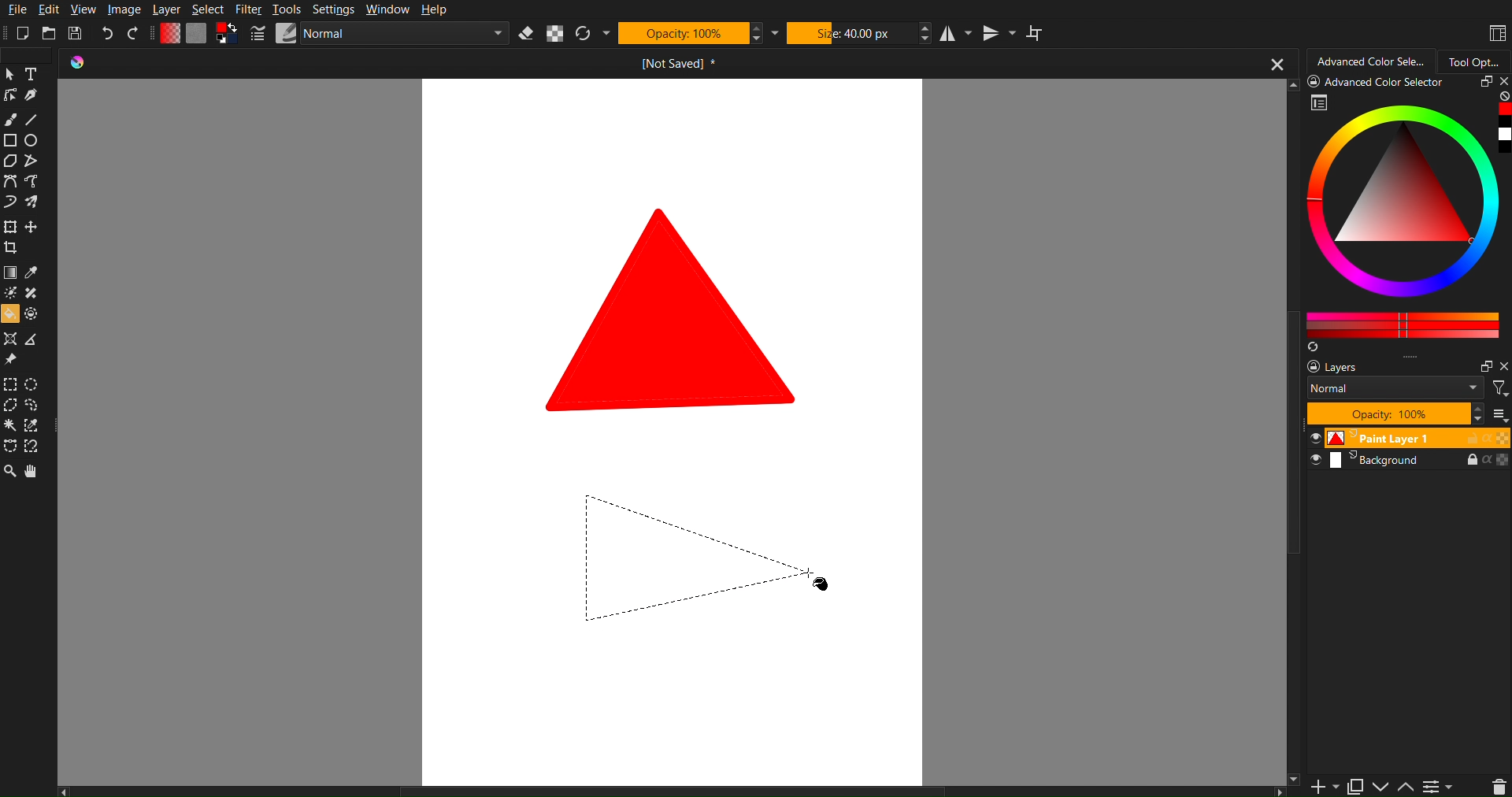  I want to click on Brush Settings, so click(381, 35).